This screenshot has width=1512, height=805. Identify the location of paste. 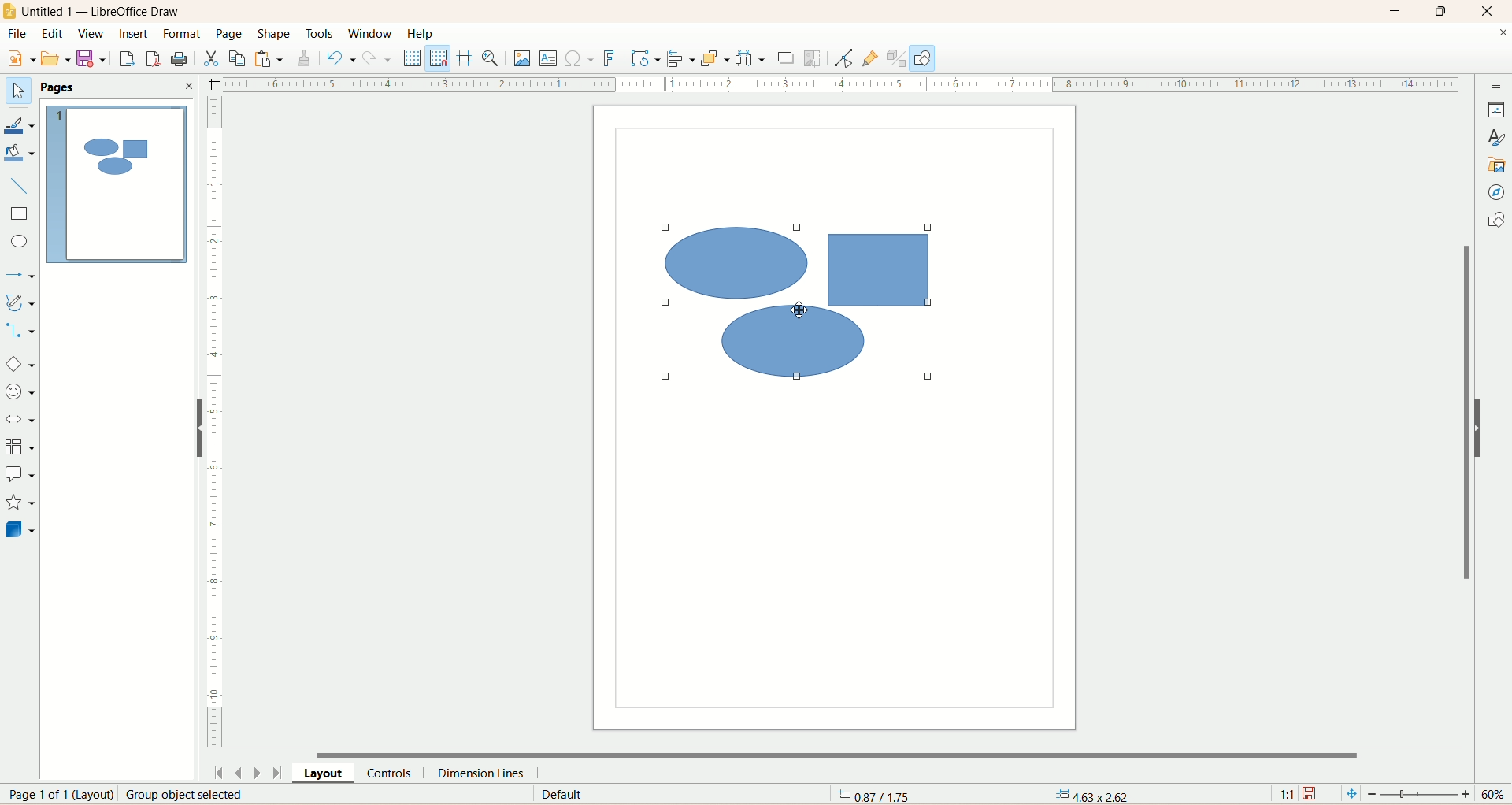
(268, 57).